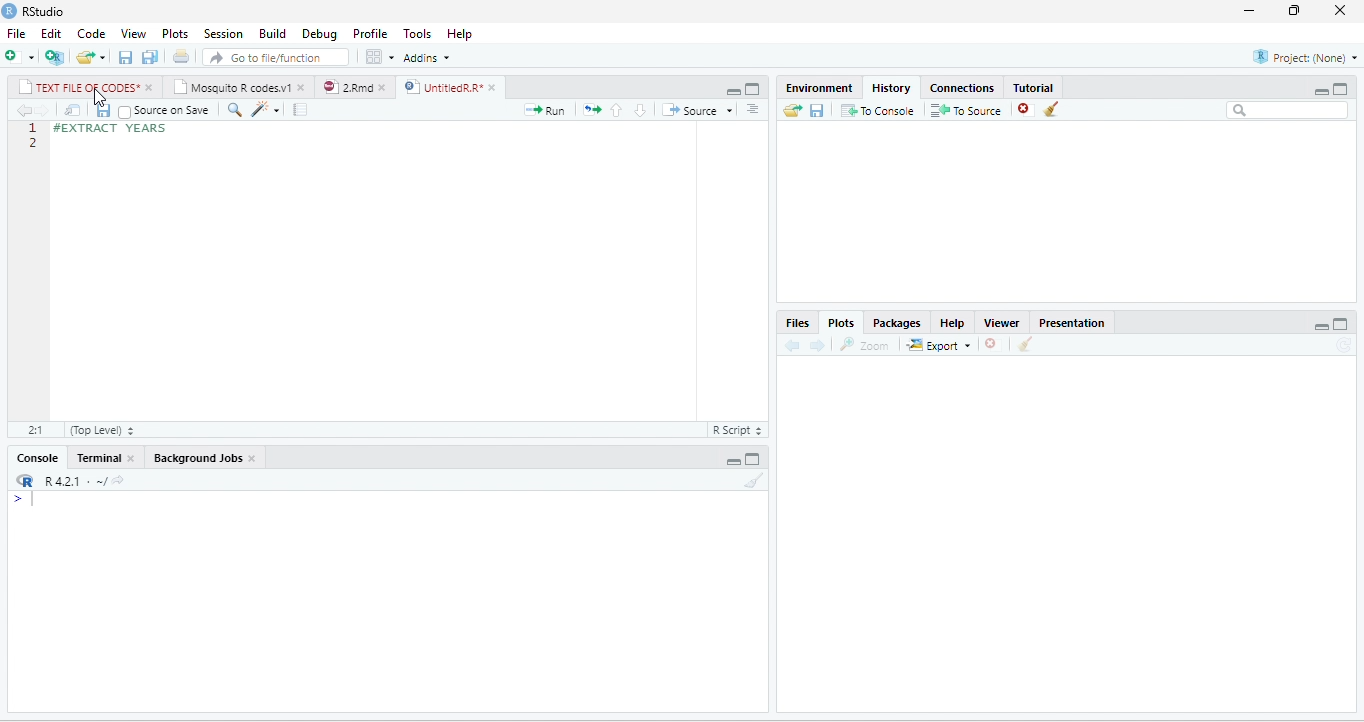 Image resolution: width=1364 pixels, height=722 pixels. What do you see at coordinates (92, 57) in the screenshot?
I see `open file` at bounding box center [92, 57].